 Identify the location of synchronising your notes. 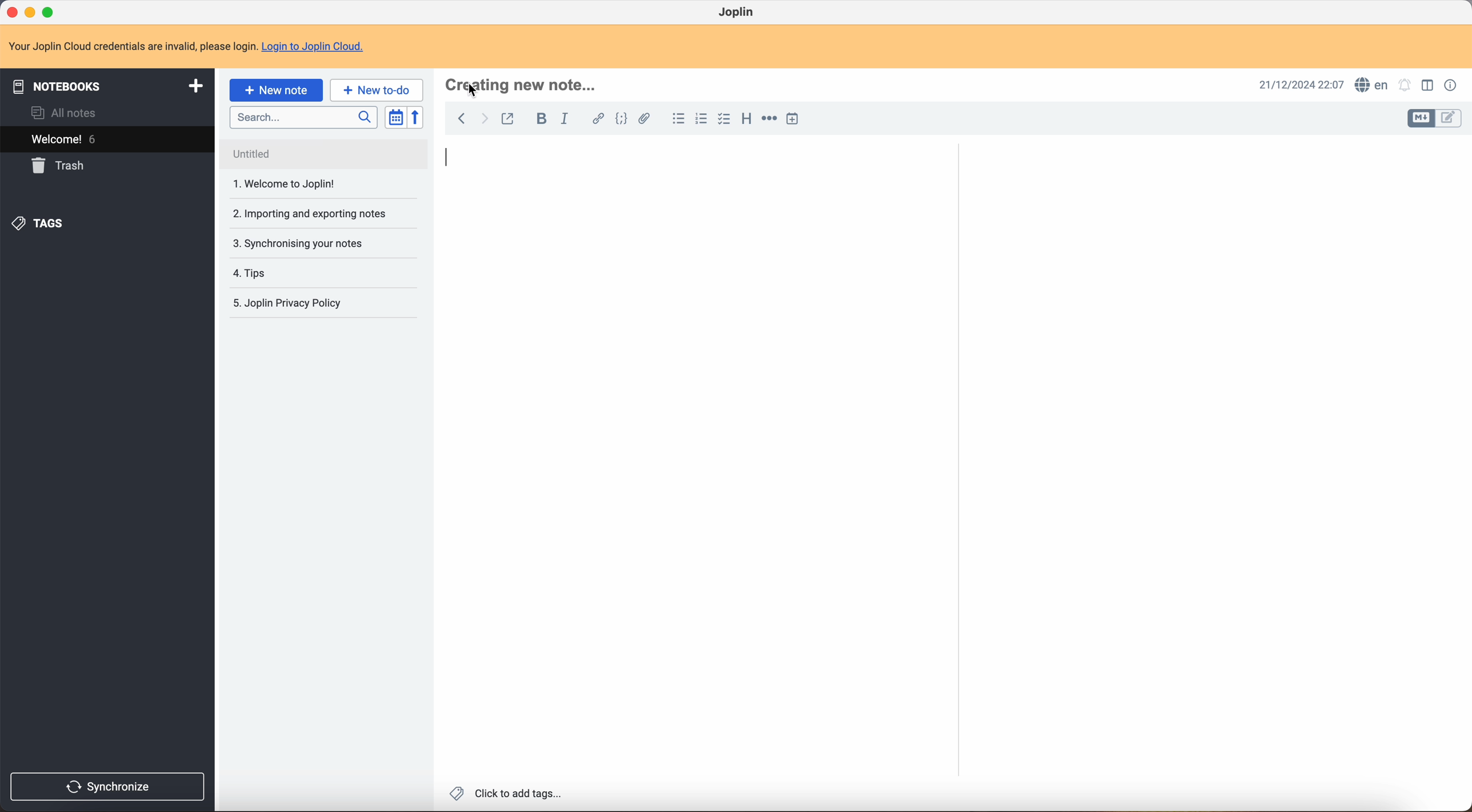
(315, 217).